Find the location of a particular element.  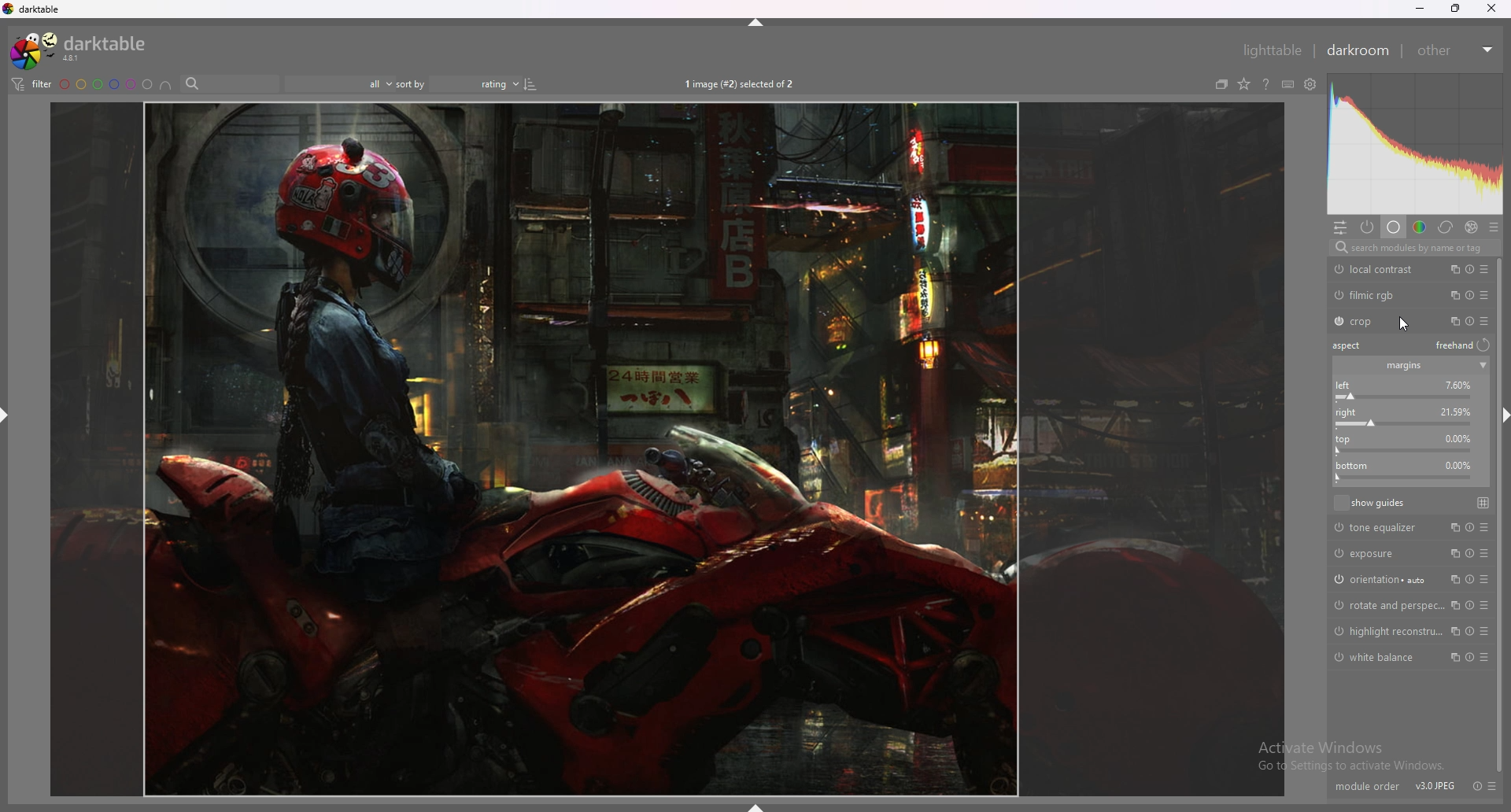

collapse grouped images is located at coordinates (1221, 84).